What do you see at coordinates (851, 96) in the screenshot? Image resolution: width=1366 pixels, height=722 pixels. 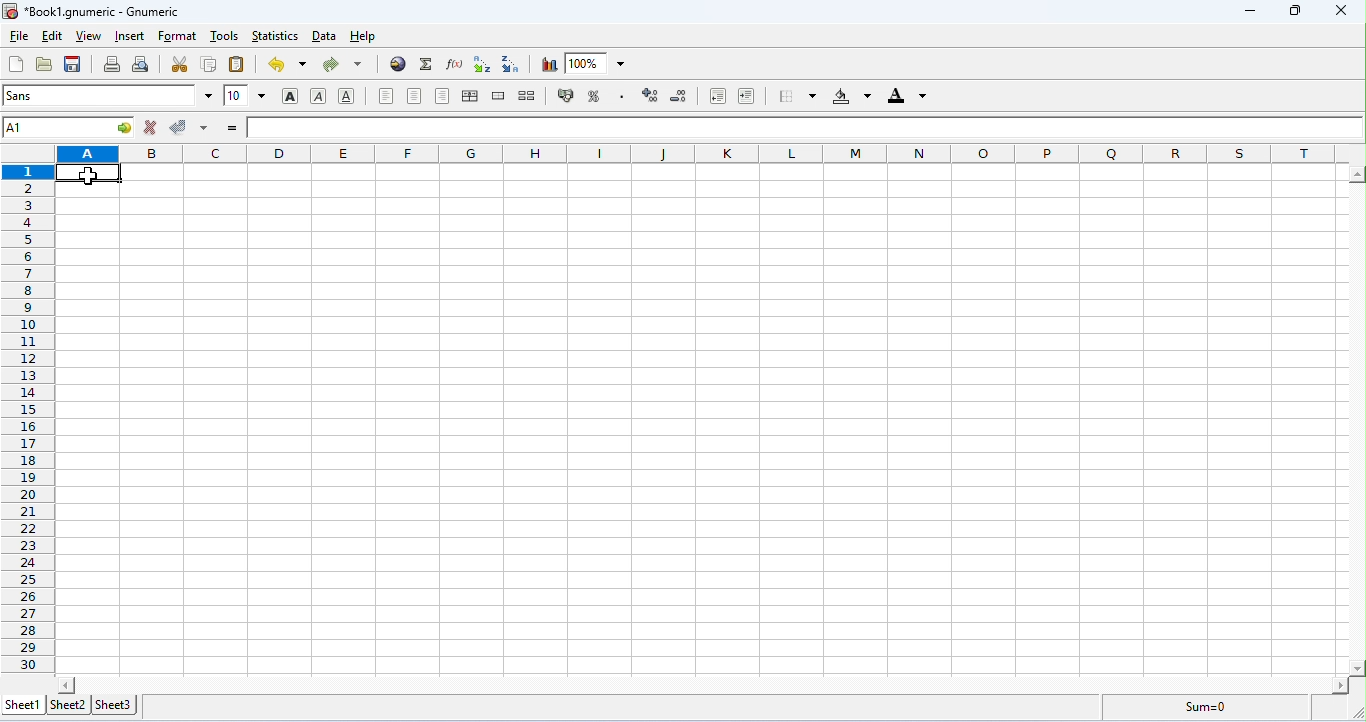 I see `background` at bounding box center [851, 96].